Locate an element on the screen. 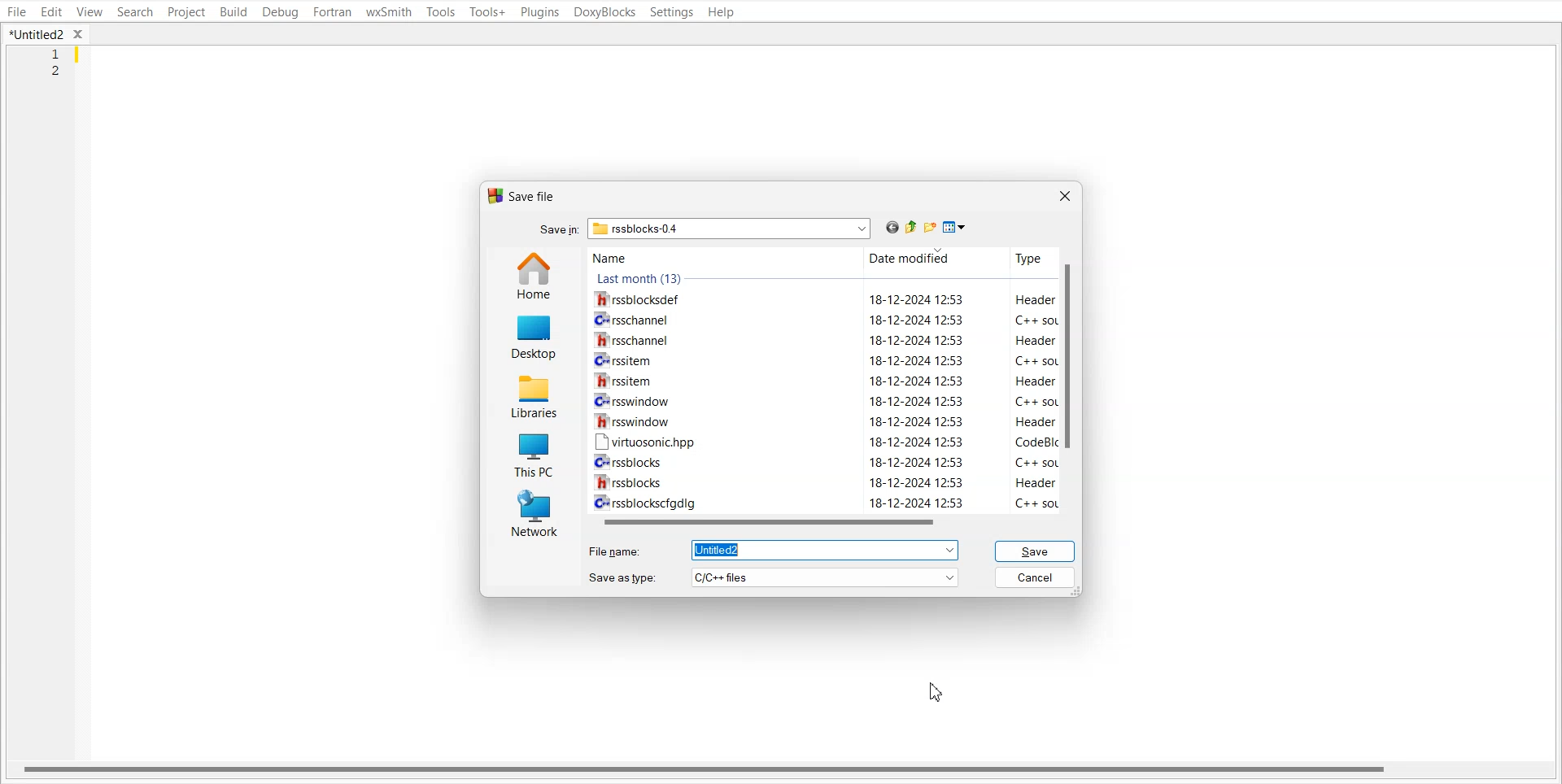 The width and height of the screenshot is (1562, 784). C+ rssblockscfgdig 18-12-2024 12:53 C++ so is located at coordinates (824, 505).